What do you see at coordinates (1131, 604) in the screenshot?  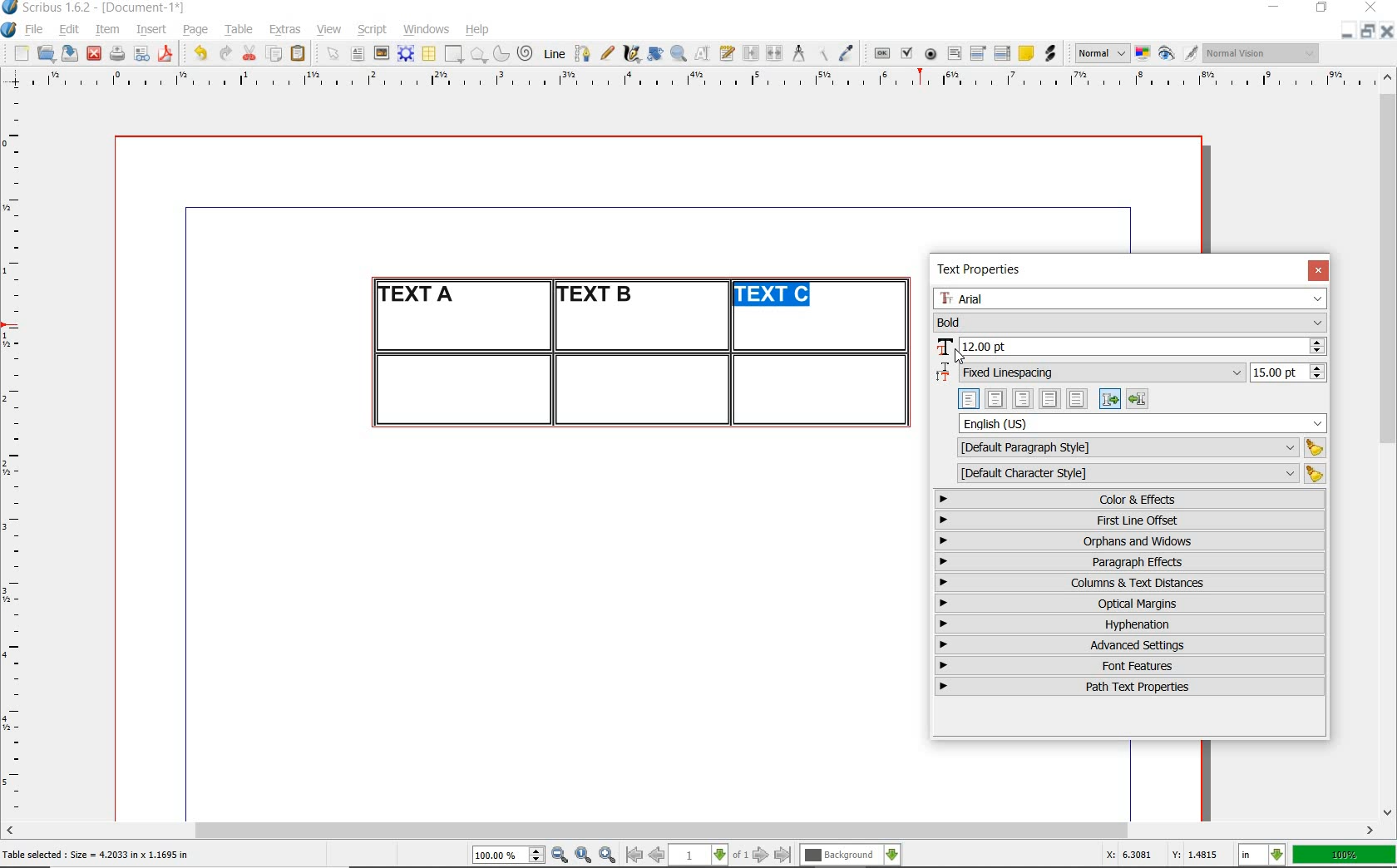 I see `optical margins` at bounding box center [1131, 604].